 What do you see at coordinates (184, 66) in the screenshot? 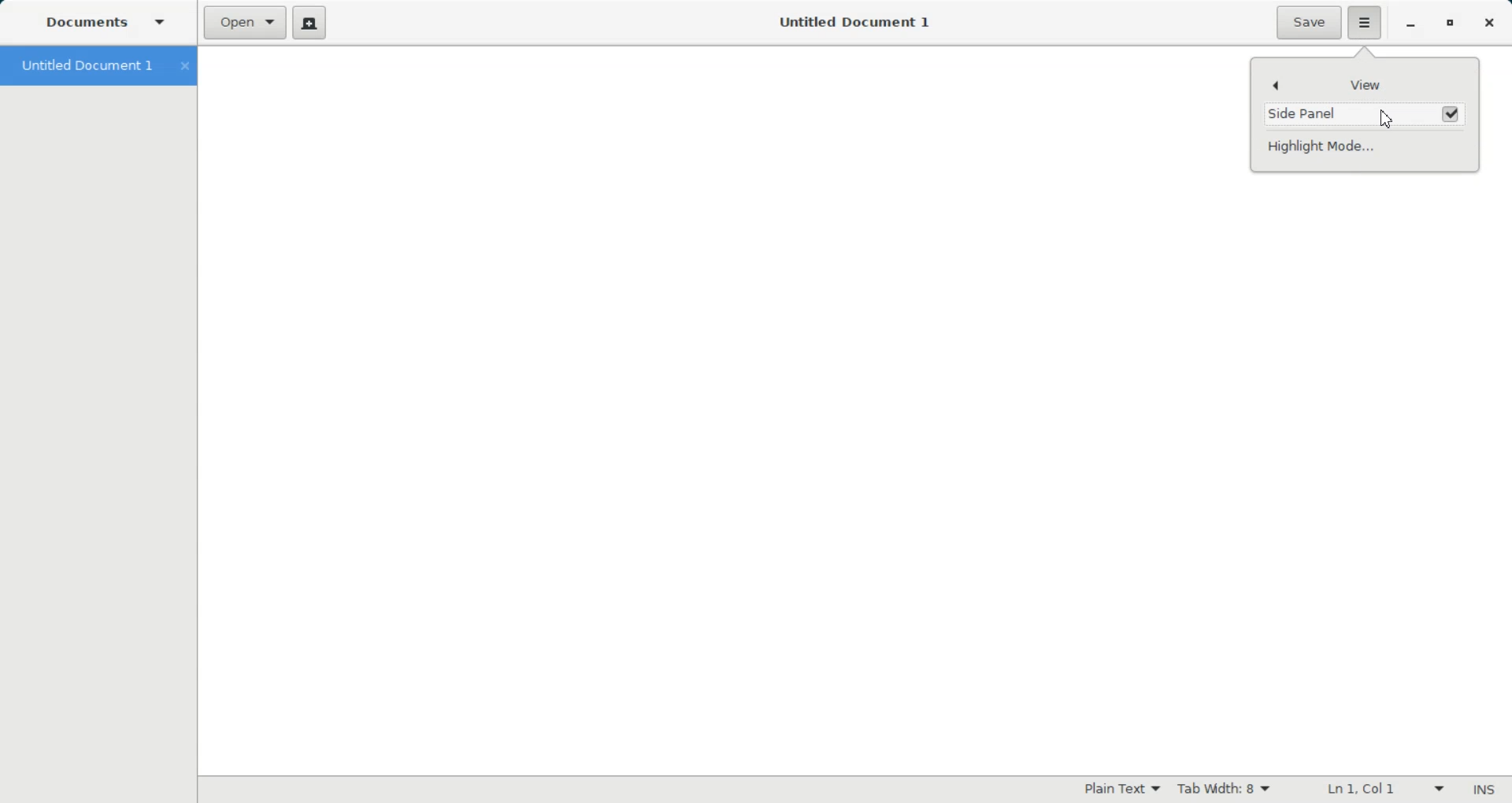
I see `Close` at bounding box center [184, 66].